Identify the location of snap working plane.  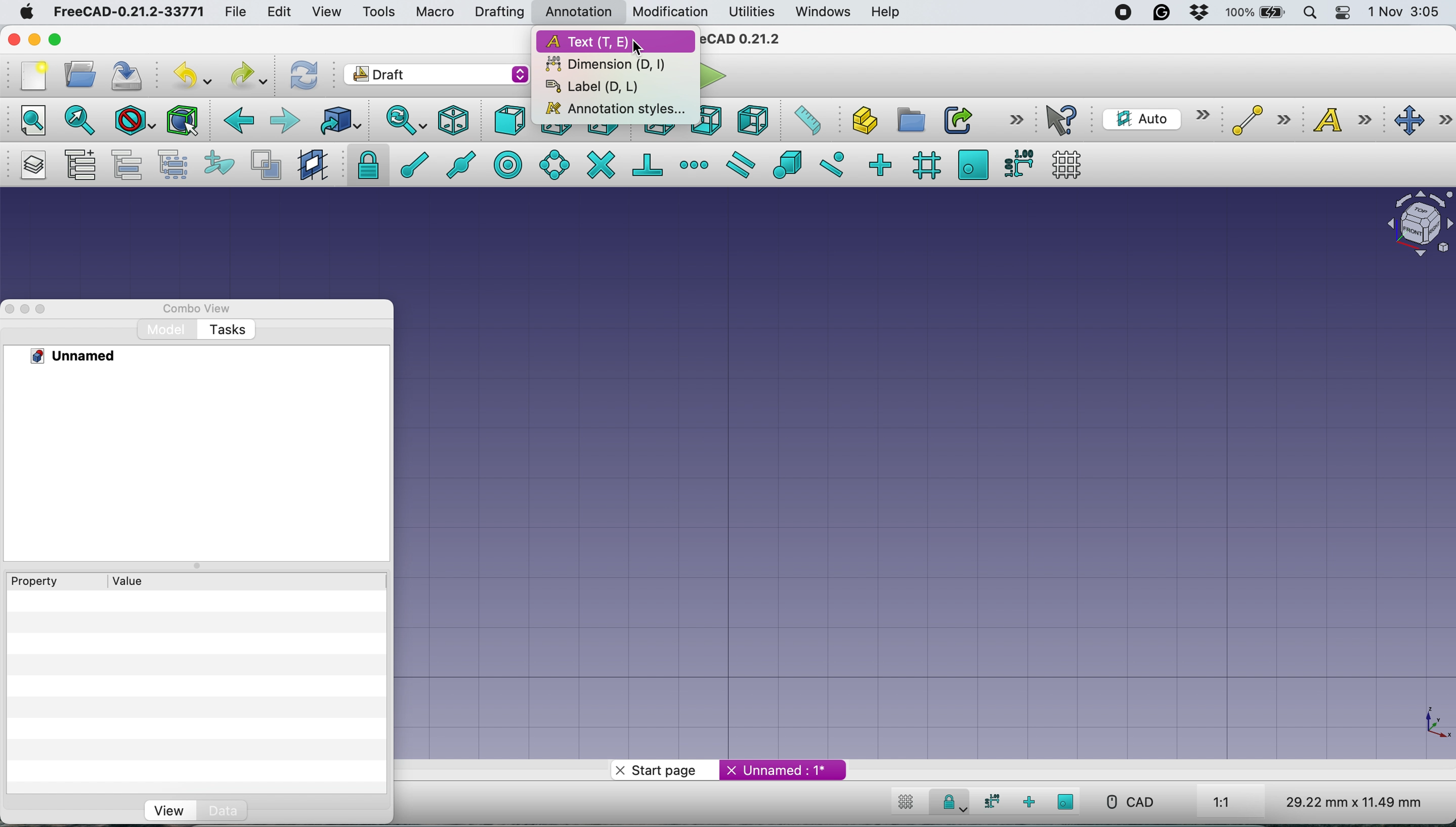
(970, 164).